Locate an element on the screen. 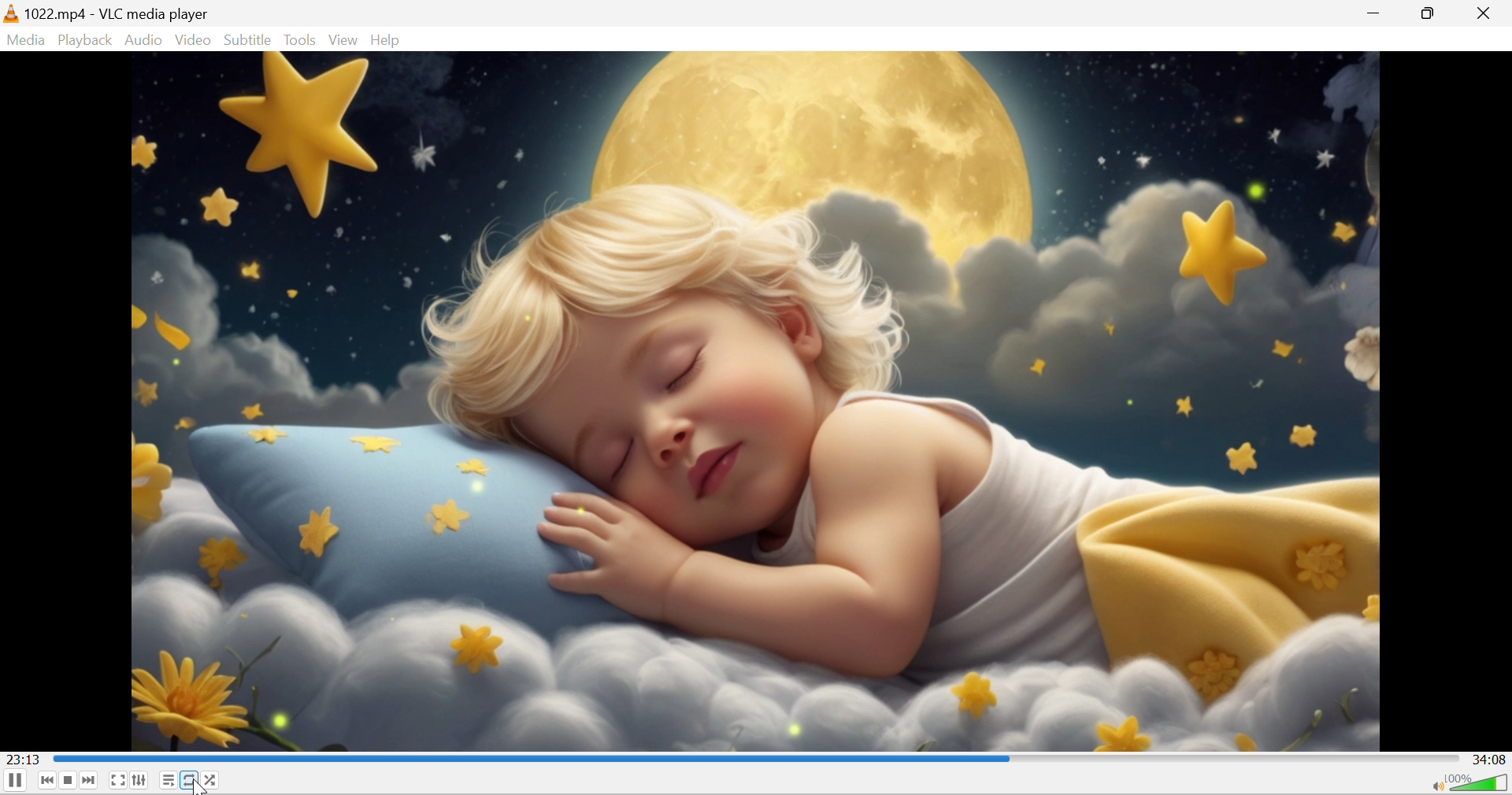 Image resolution: width=1512 pixels, height=795 pixels. Restore down is located at coordinates (1428, 12).